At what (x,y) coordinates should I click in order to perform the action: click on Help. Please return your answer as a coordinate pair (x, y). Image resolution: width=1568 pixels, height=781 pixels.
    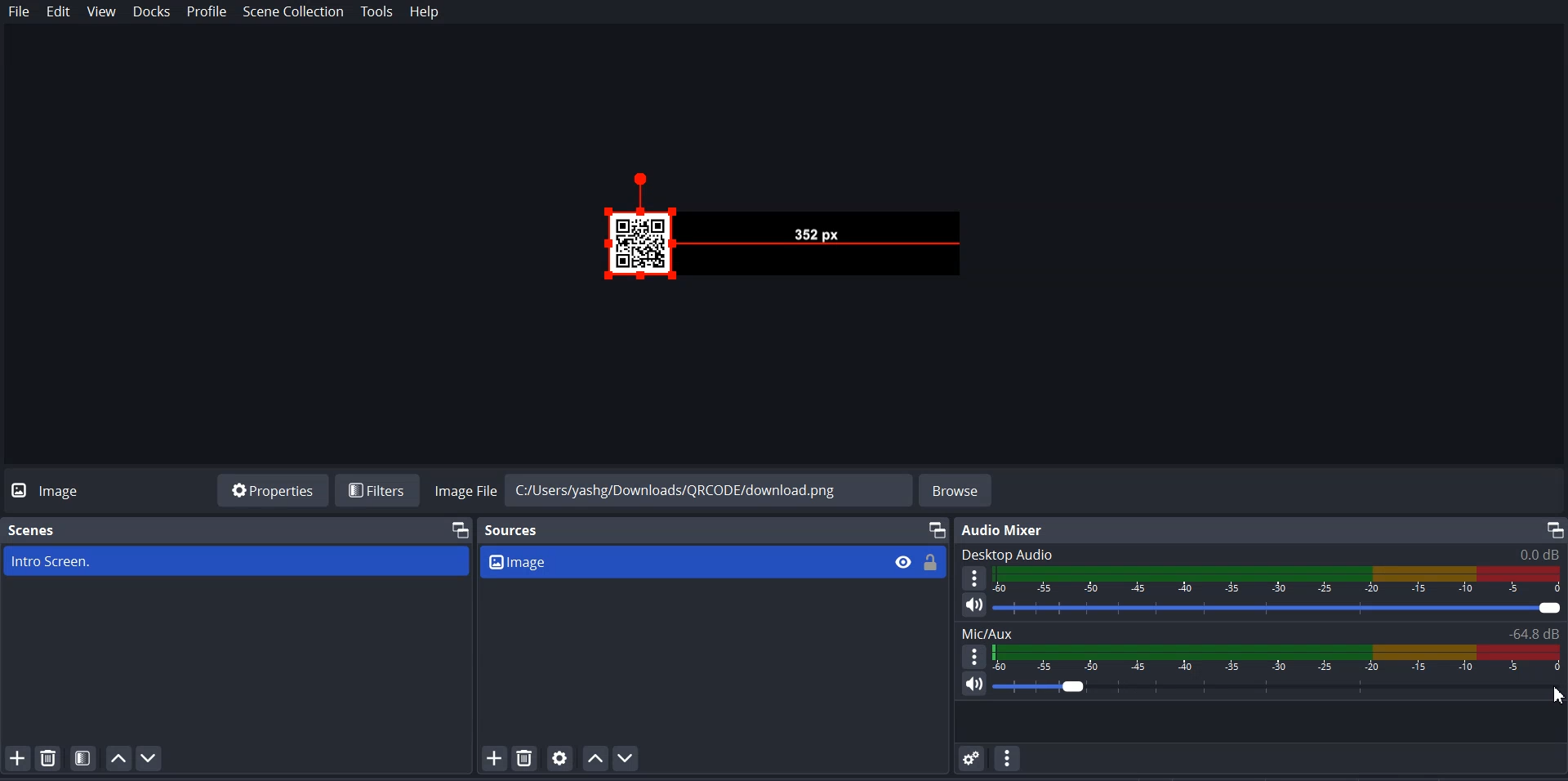
    Looking at the image, I should click on (425, 12).